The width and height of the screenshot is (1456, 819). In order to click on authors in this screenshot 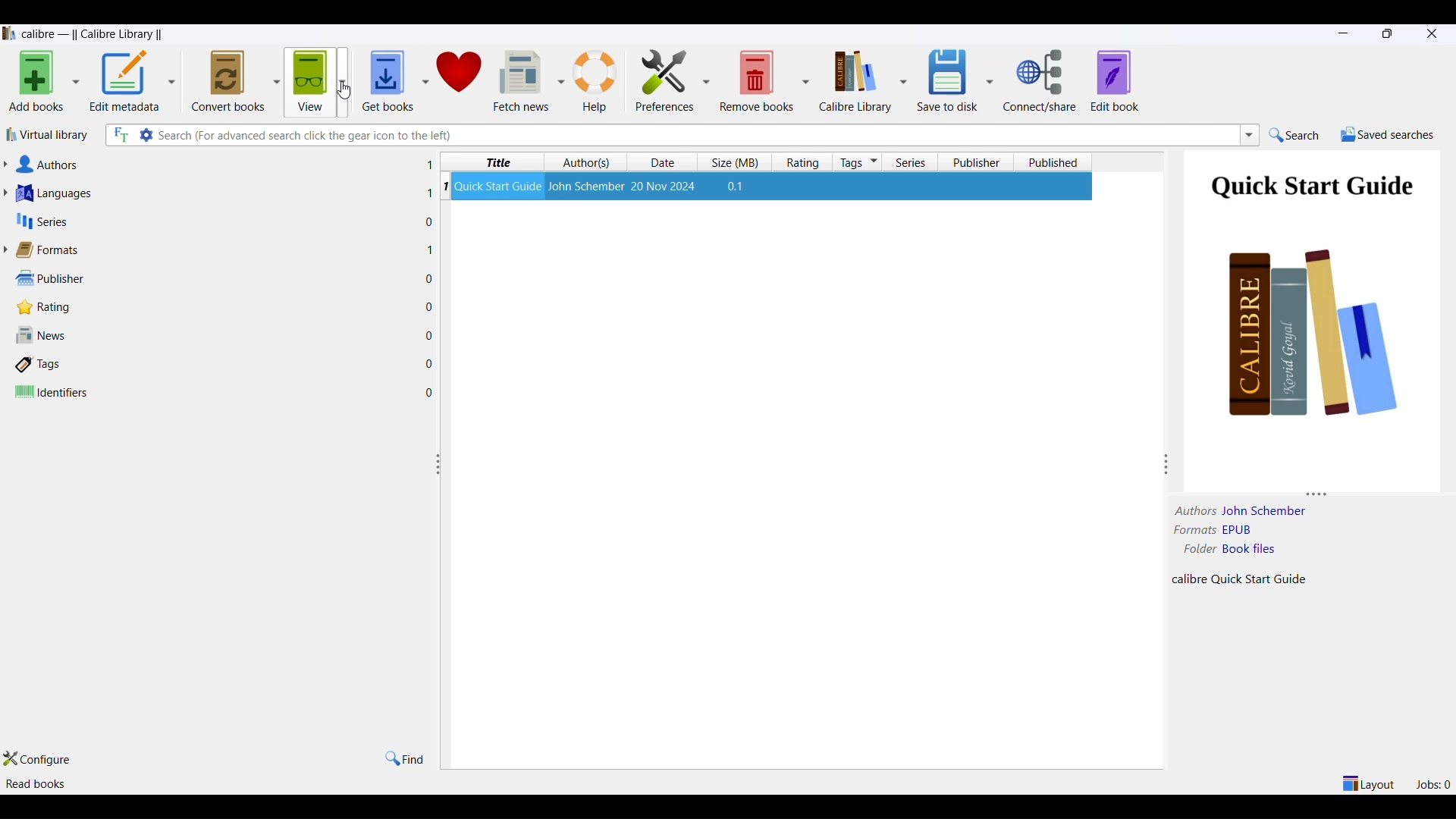, I will do `click(219, 162)`.